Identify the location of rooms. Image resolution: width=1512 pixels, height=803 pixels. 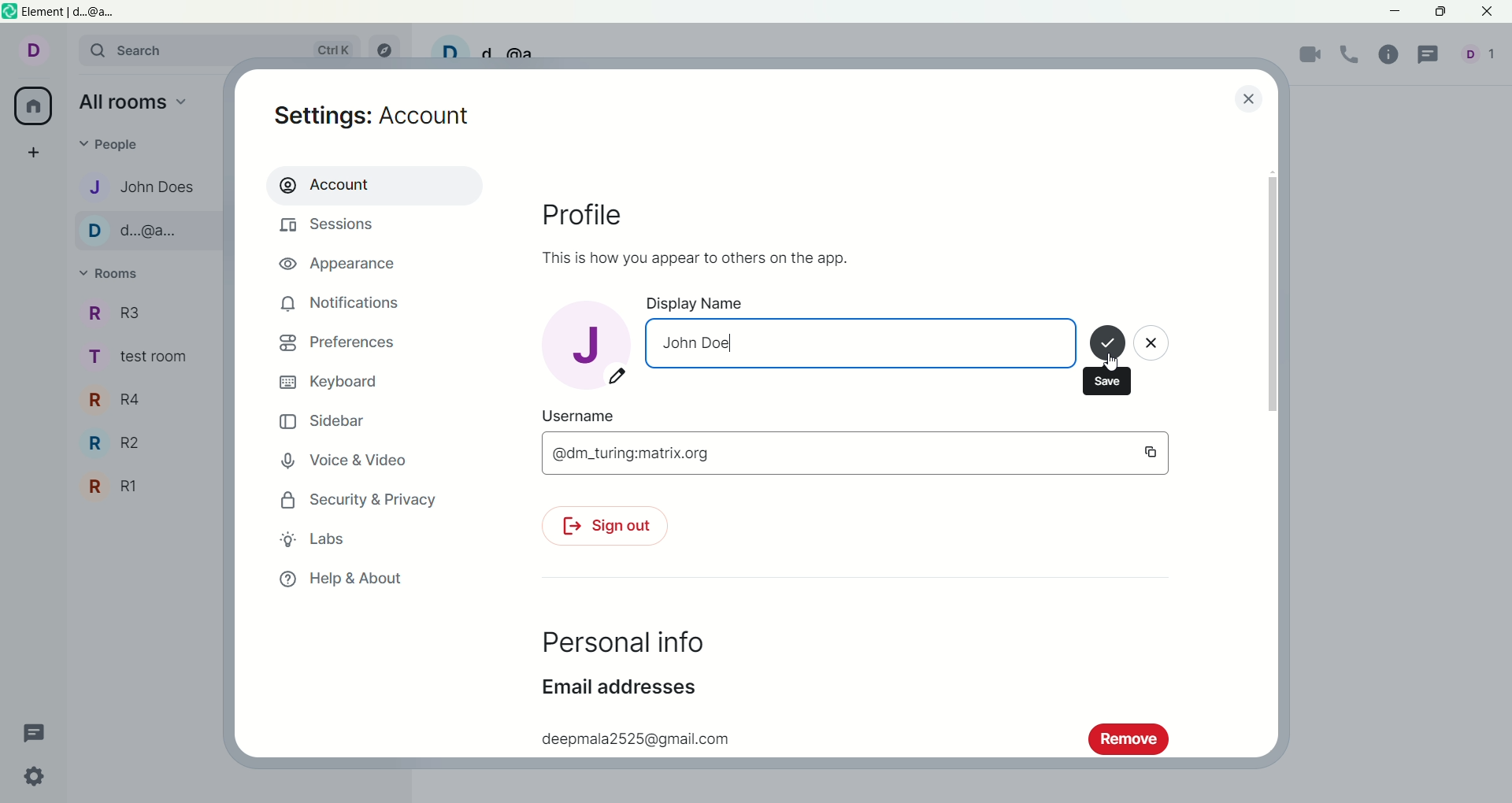
(115, 275).